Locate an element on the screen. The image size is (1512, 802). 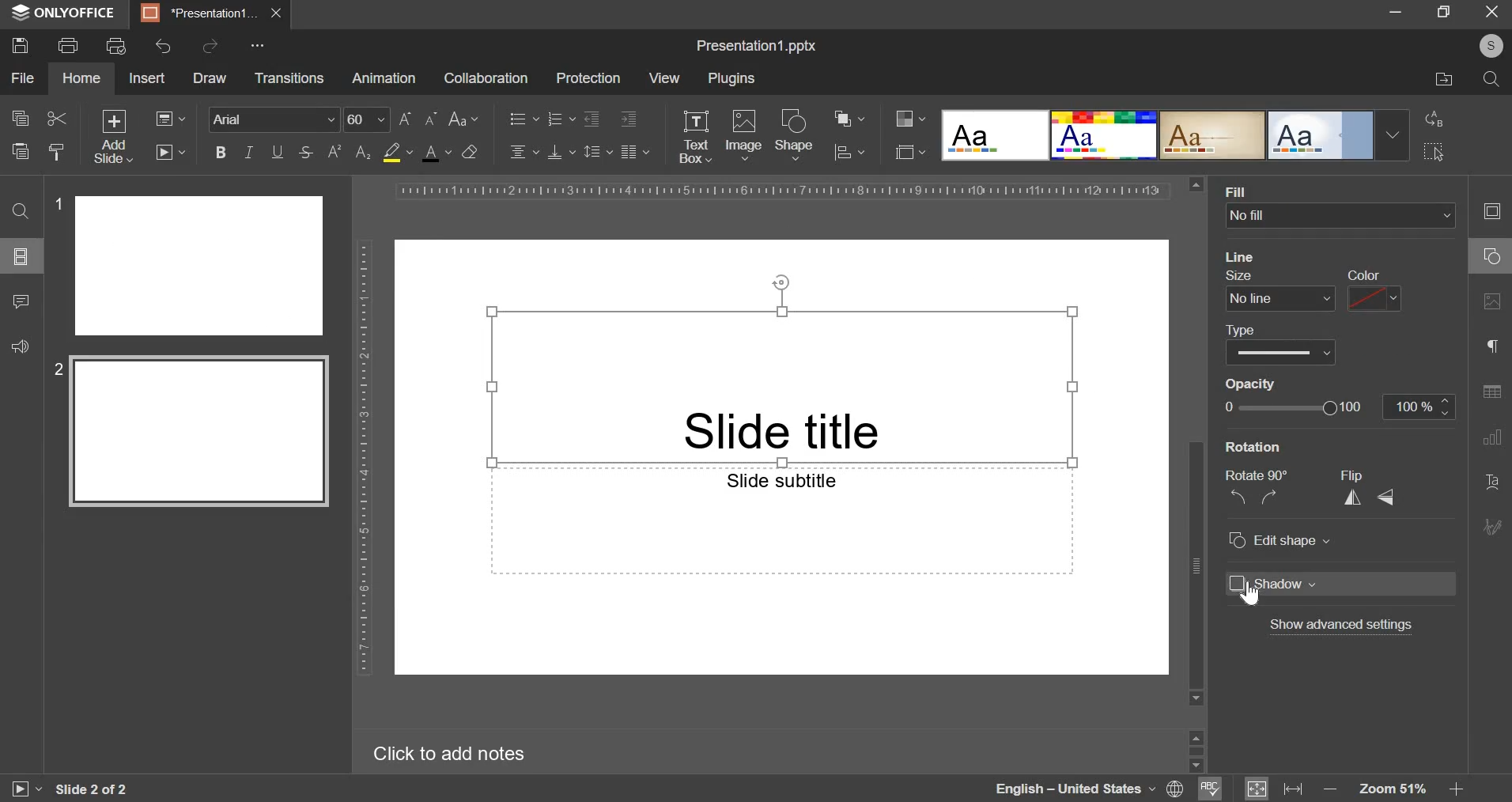
shadow is located at coordinates (1340, 584).